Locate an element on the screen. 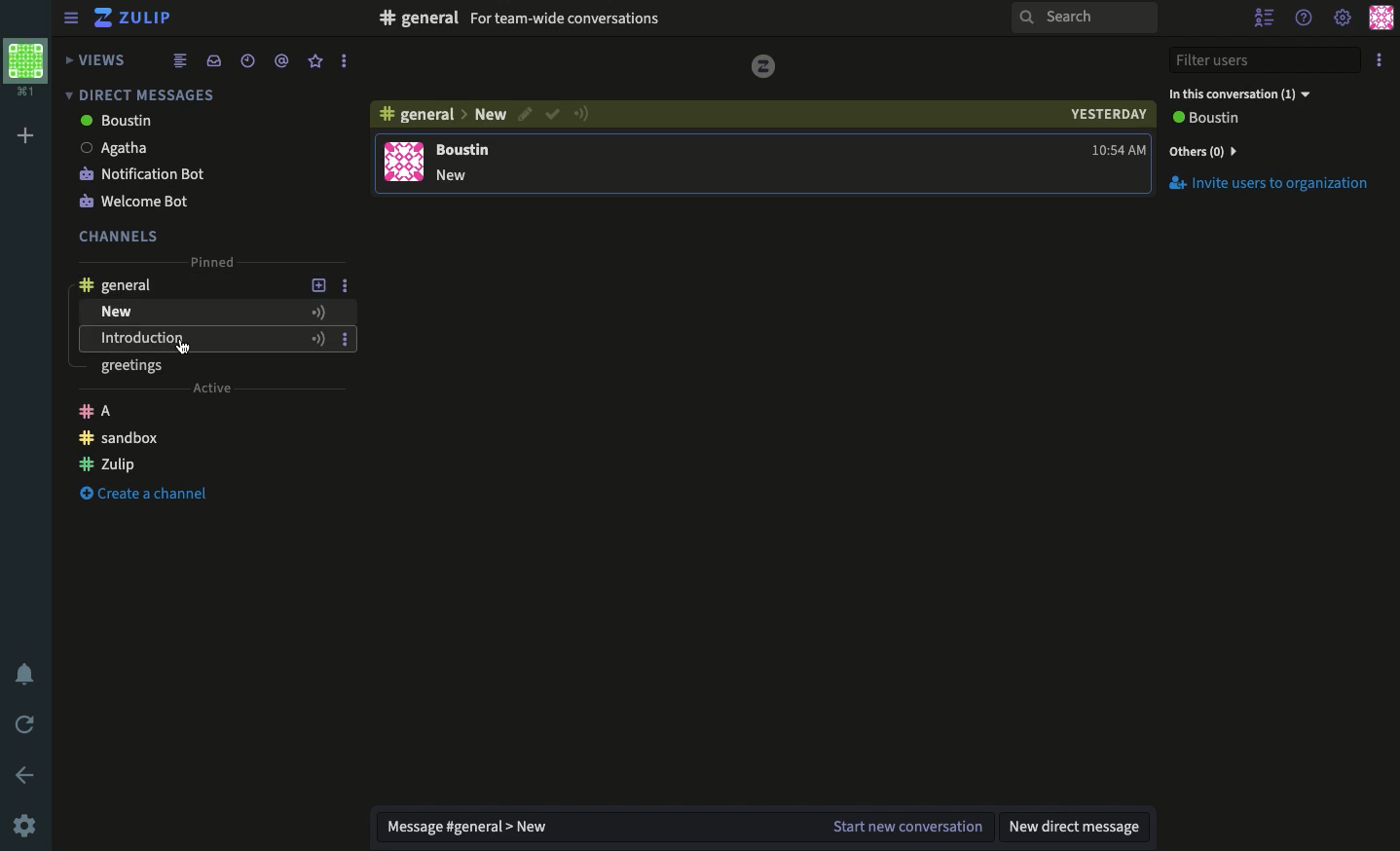 This screenshot has width=1400, height=851. #general is located at coordinates (420, 17).